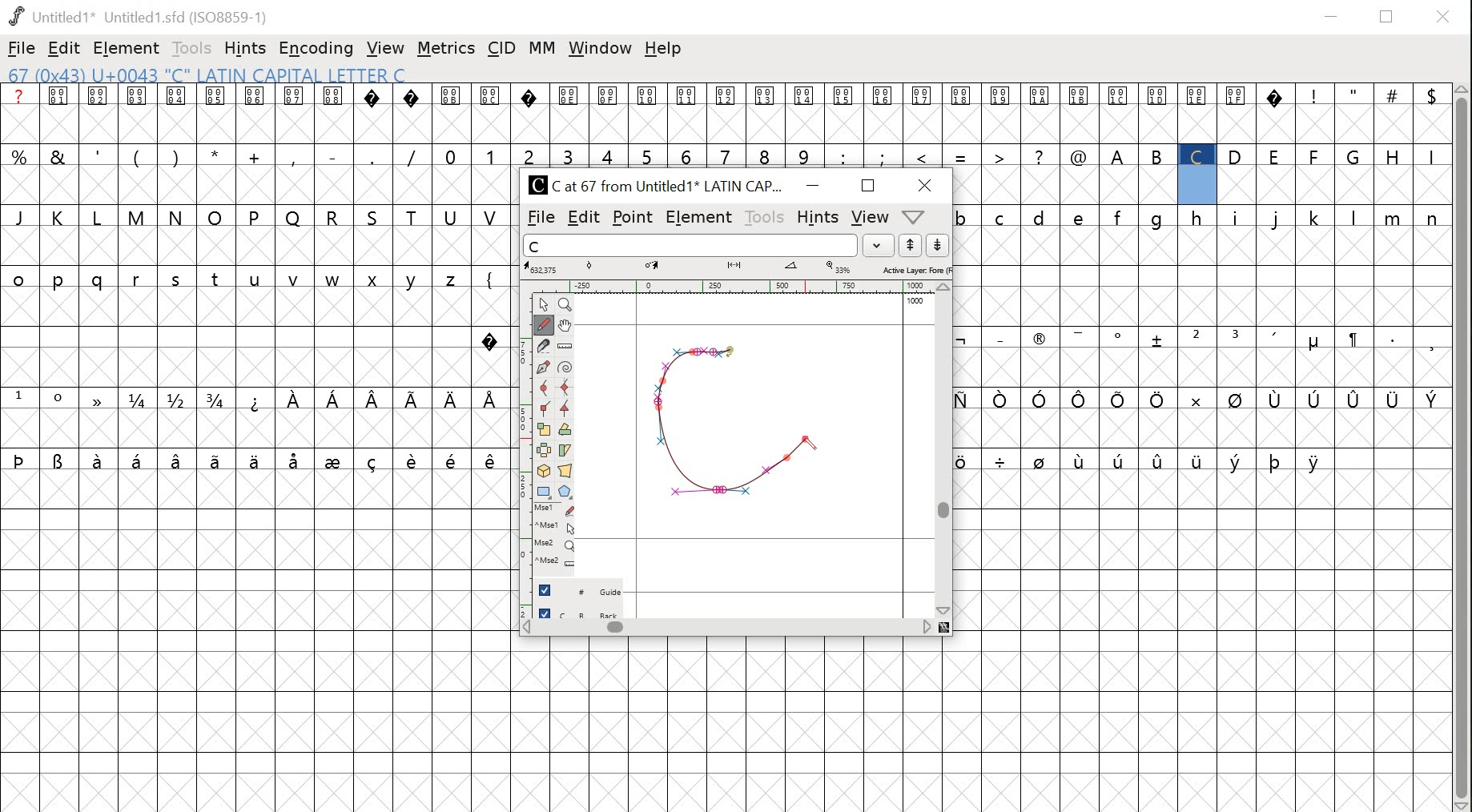  What do you see at coordinates (816, 217) in the screenshot?
I see `hints` at bounding box center [816, 217].